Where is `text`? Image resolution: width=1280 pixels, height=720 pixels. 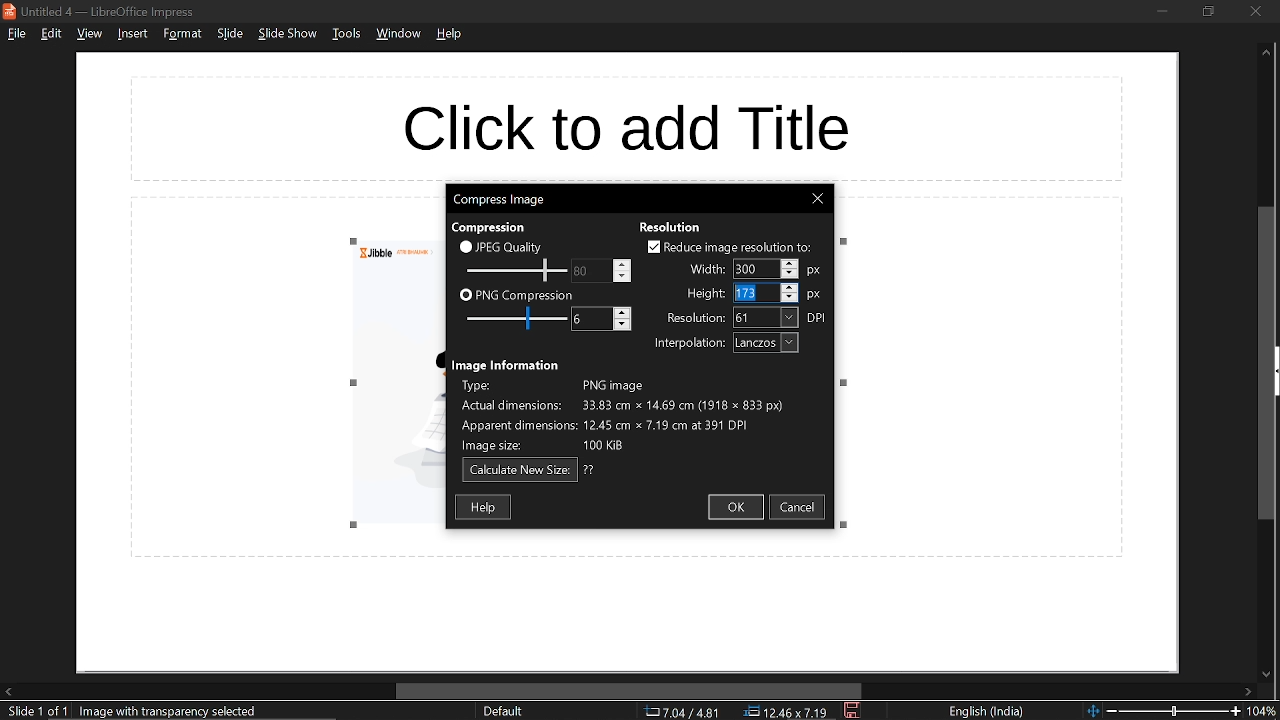
text is located at coordinates (590, 470).